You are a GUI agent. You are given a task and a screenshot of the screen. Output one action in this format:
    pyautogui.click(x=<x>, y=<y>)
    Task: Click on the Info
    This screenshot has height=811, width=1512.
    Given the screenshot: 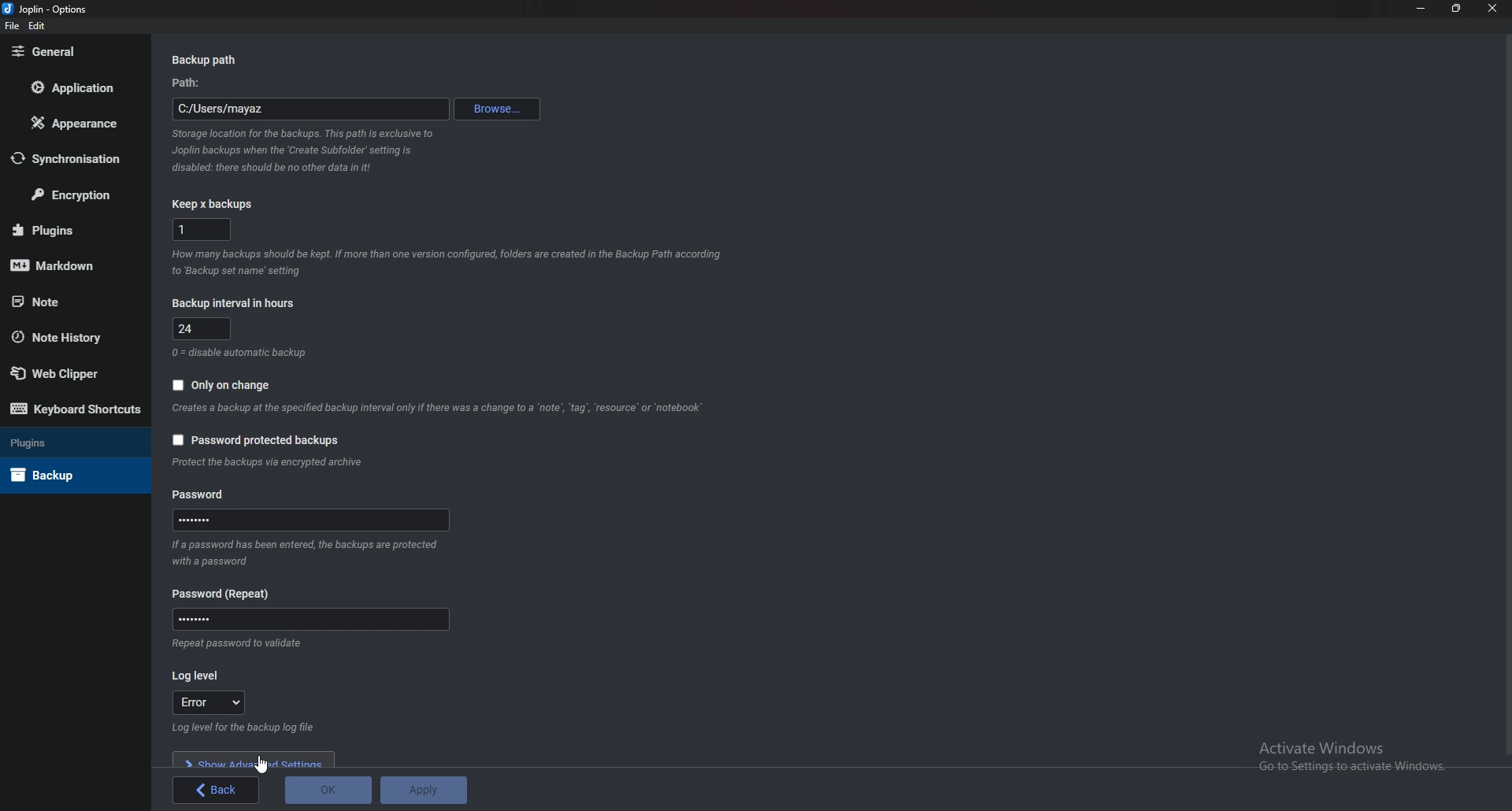 What is the action you would take?
    pyautogui.click(x=271, y=462)
    